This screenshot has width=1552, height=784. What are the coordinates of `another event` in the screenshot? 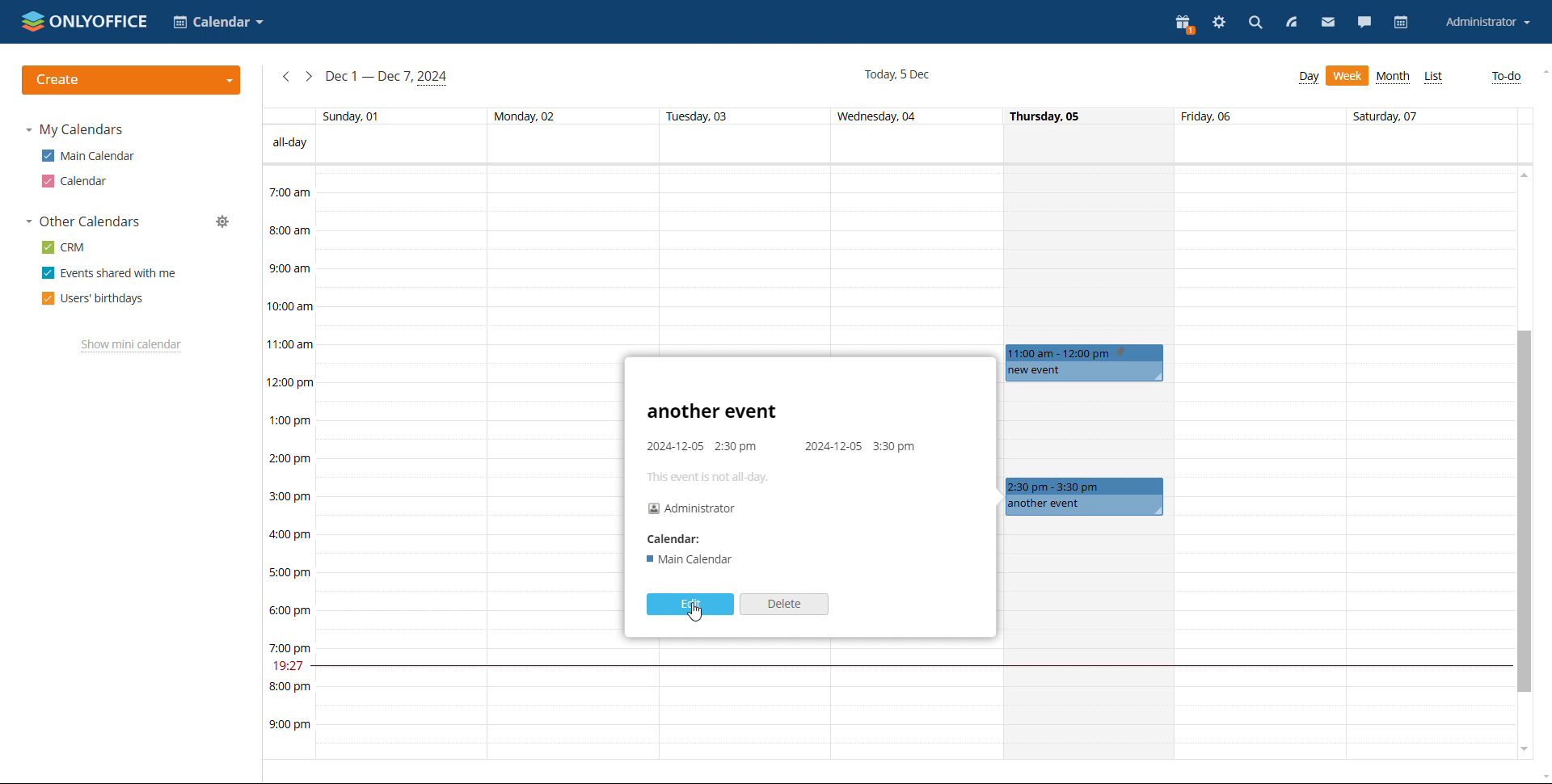 It's located at (713, 412).